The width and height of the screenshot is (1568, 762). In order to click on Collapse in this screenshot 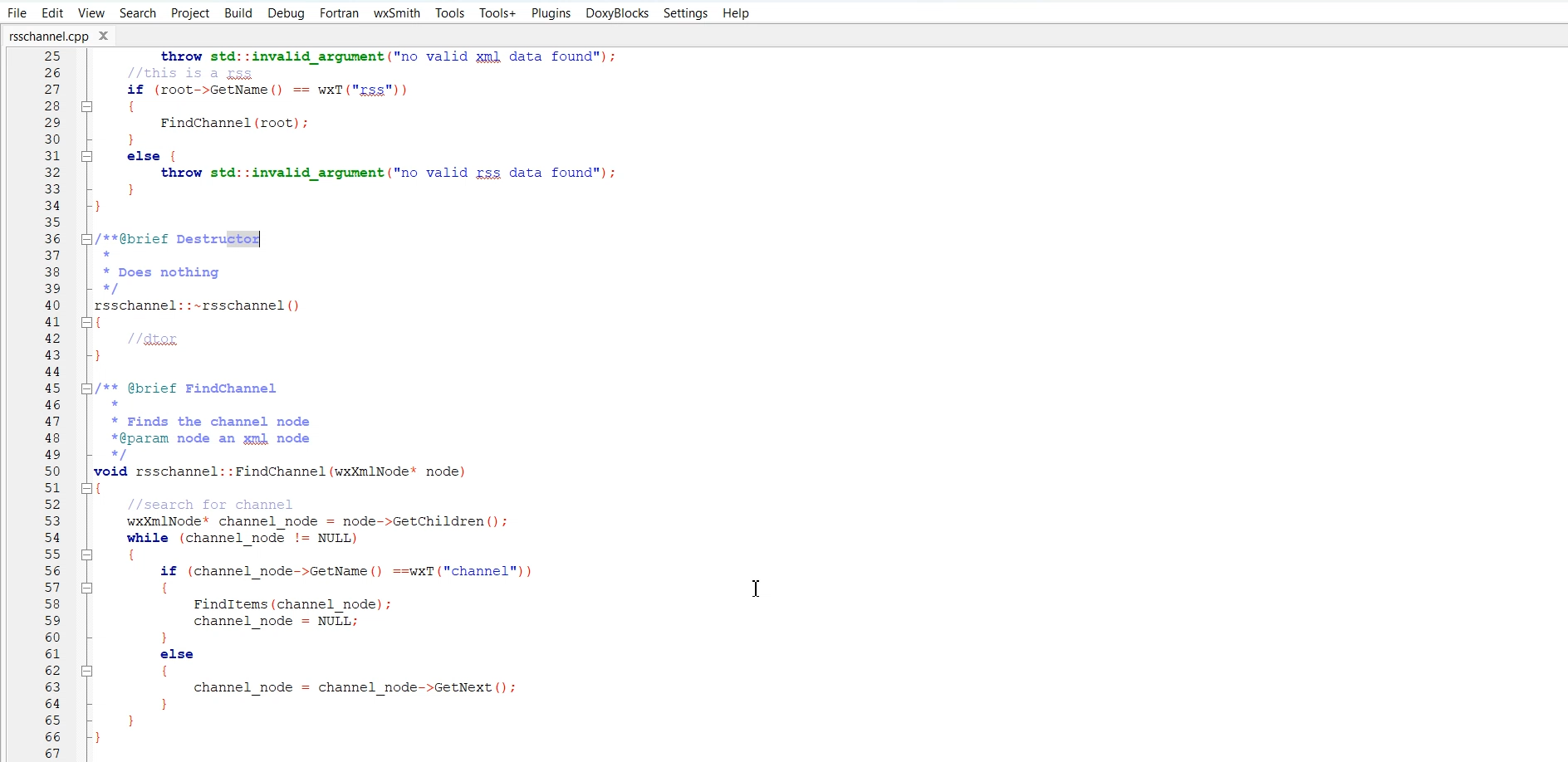, I will do `click(86, 488)`.